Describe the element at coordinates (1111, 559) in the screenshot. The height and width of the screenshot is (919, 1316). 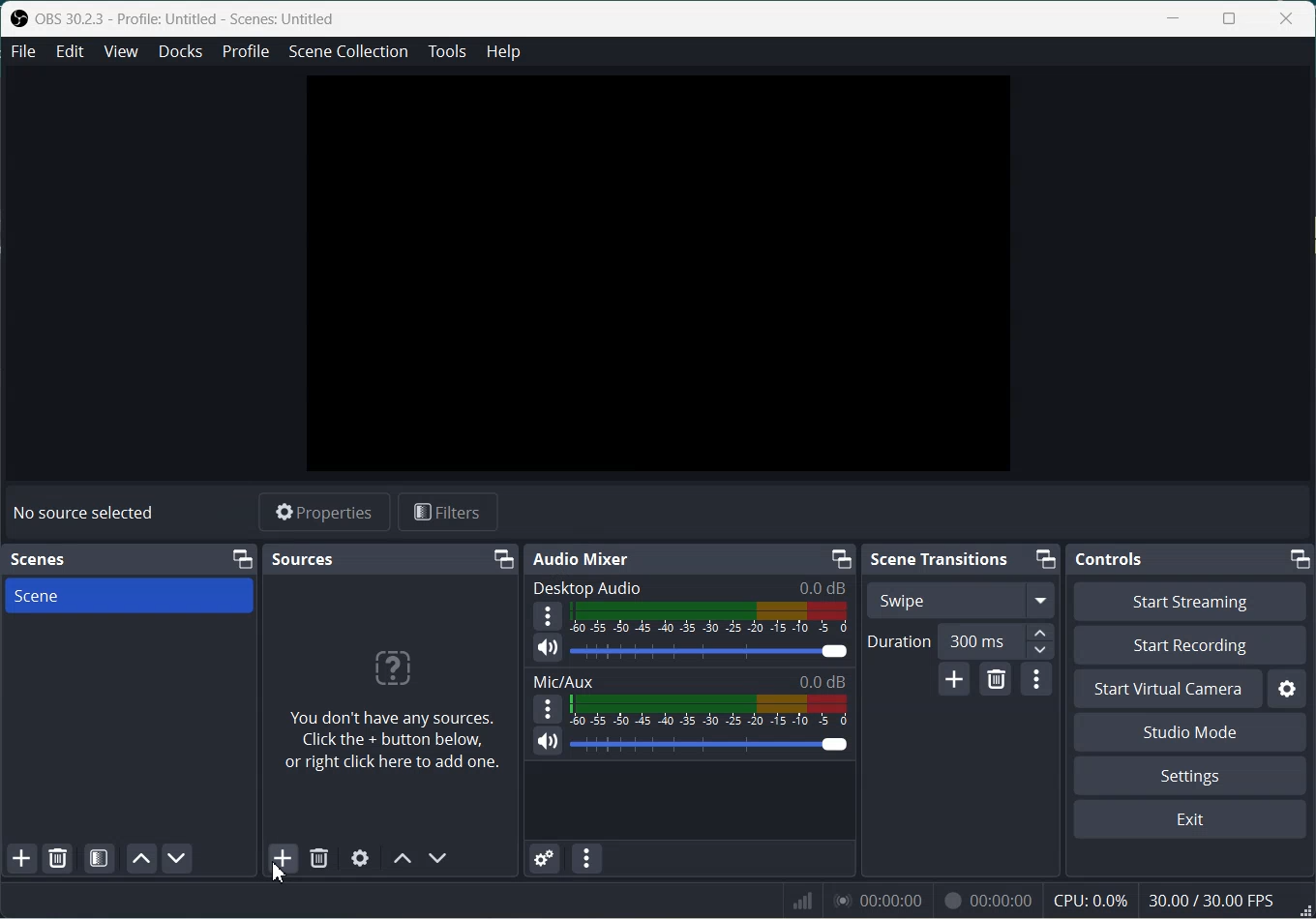
I see `Controls` at that location.